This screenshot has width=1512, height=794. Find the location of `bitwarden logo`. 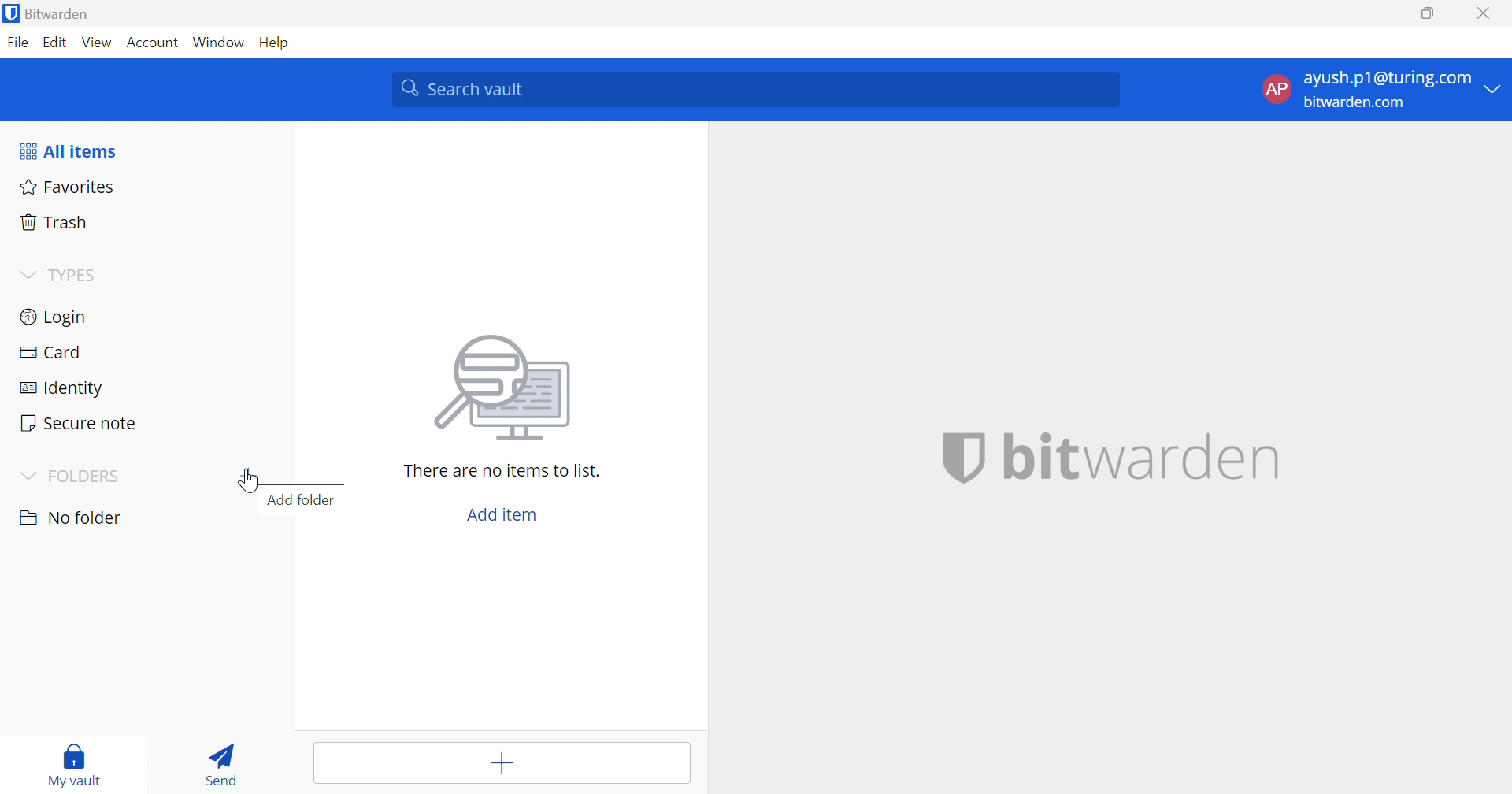

bitwarden logo is located at coordinates (954, 458).